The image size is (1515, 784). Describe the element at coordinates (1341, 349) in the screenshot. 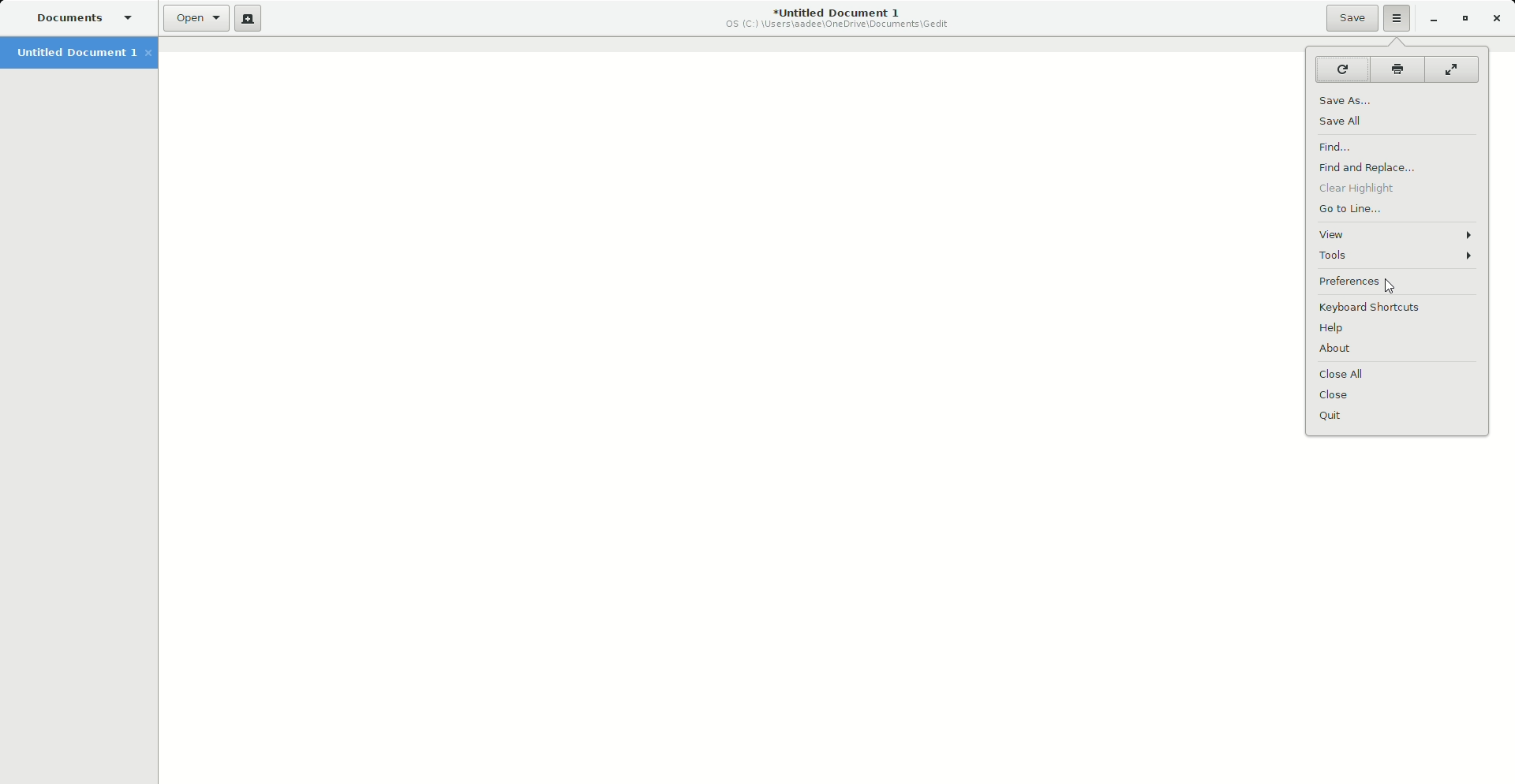

I see `About` at that location.